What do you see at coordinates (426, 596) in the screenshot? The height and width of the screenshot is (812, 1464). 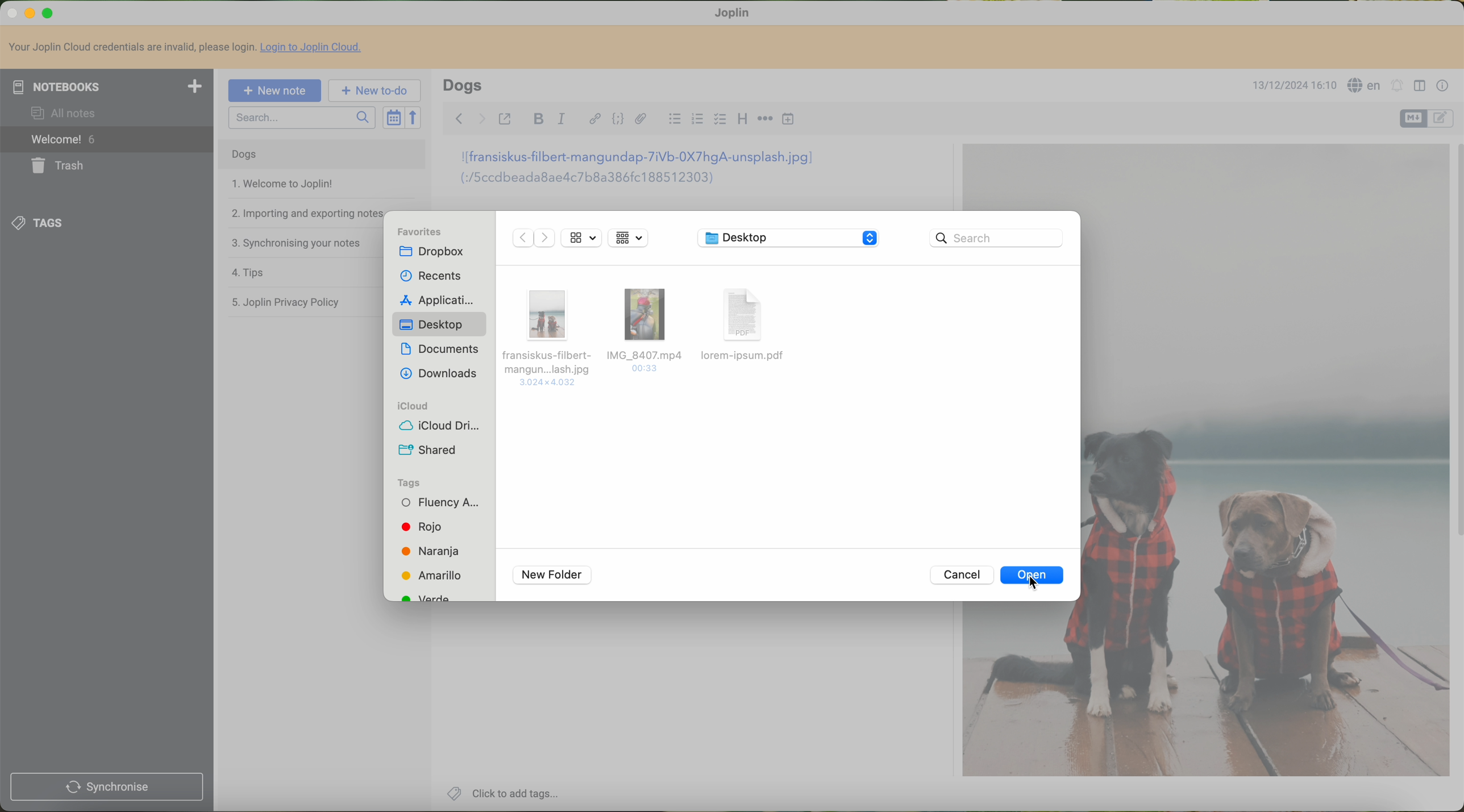 I see `green tag` at bounding box center [426, 596].